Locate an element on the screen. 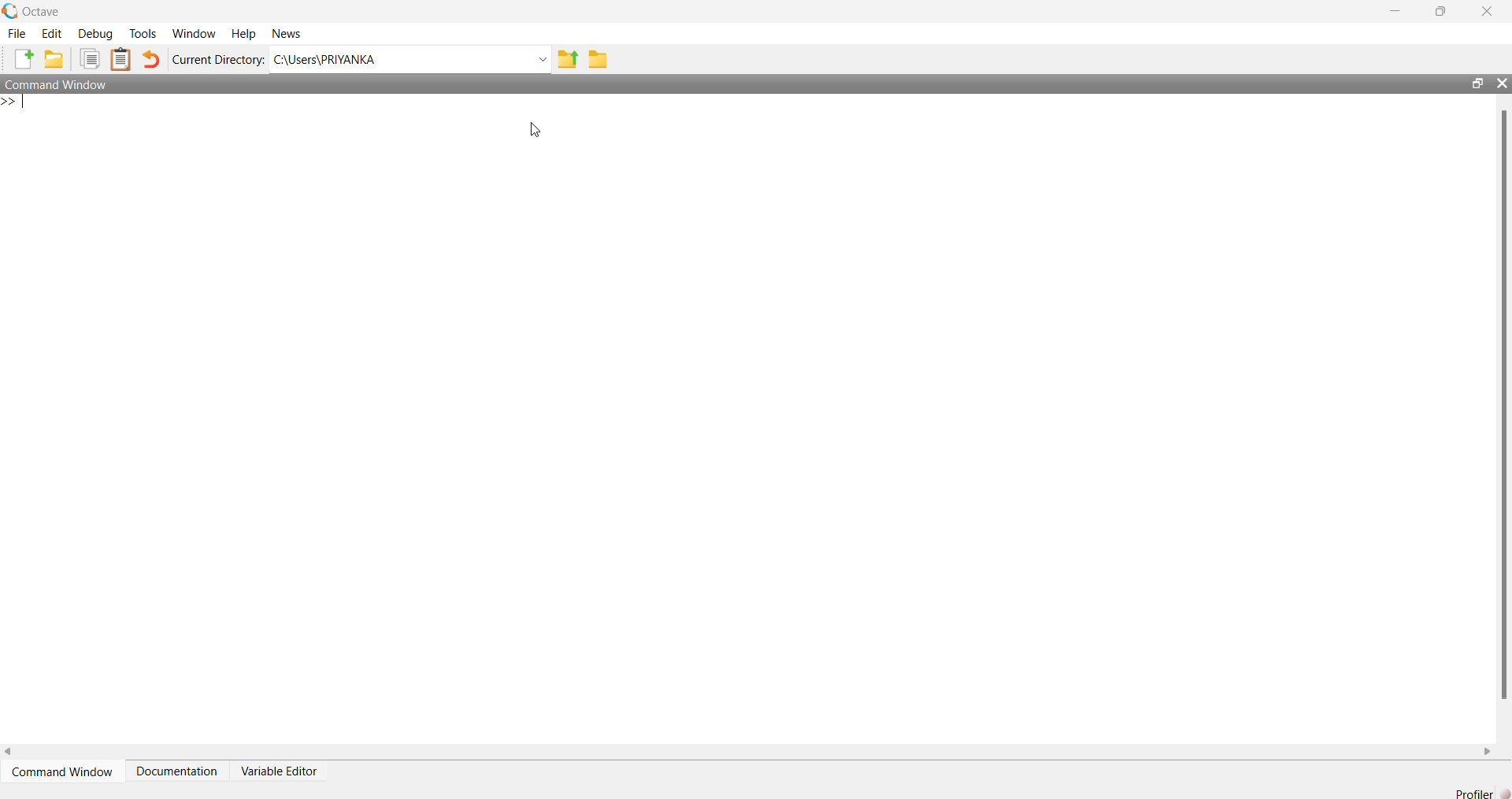  notes is located at coordinates (120, 57).